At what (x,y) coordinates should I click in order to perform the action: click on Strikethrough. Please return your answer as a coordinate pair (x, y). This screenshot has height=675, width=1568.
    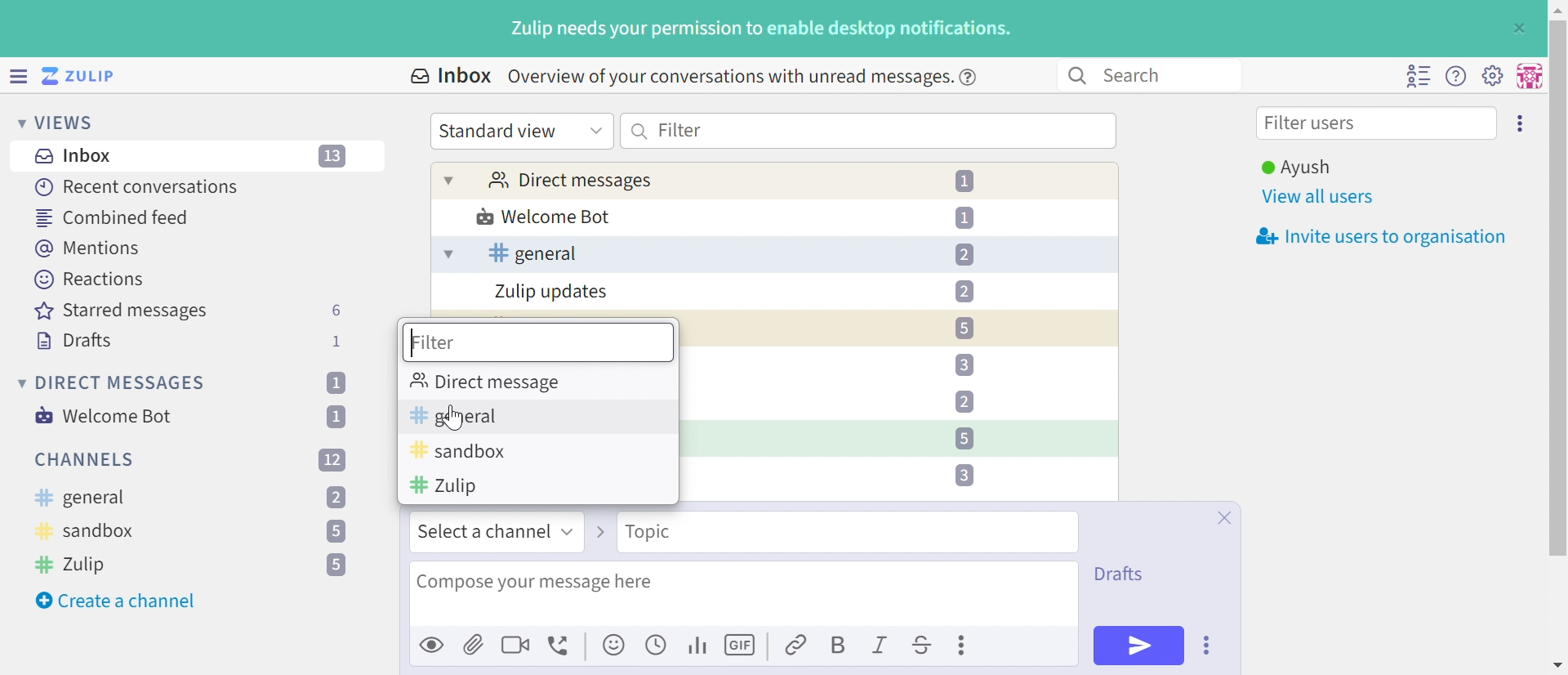
    Looking at the image, I should click on (923, 647).